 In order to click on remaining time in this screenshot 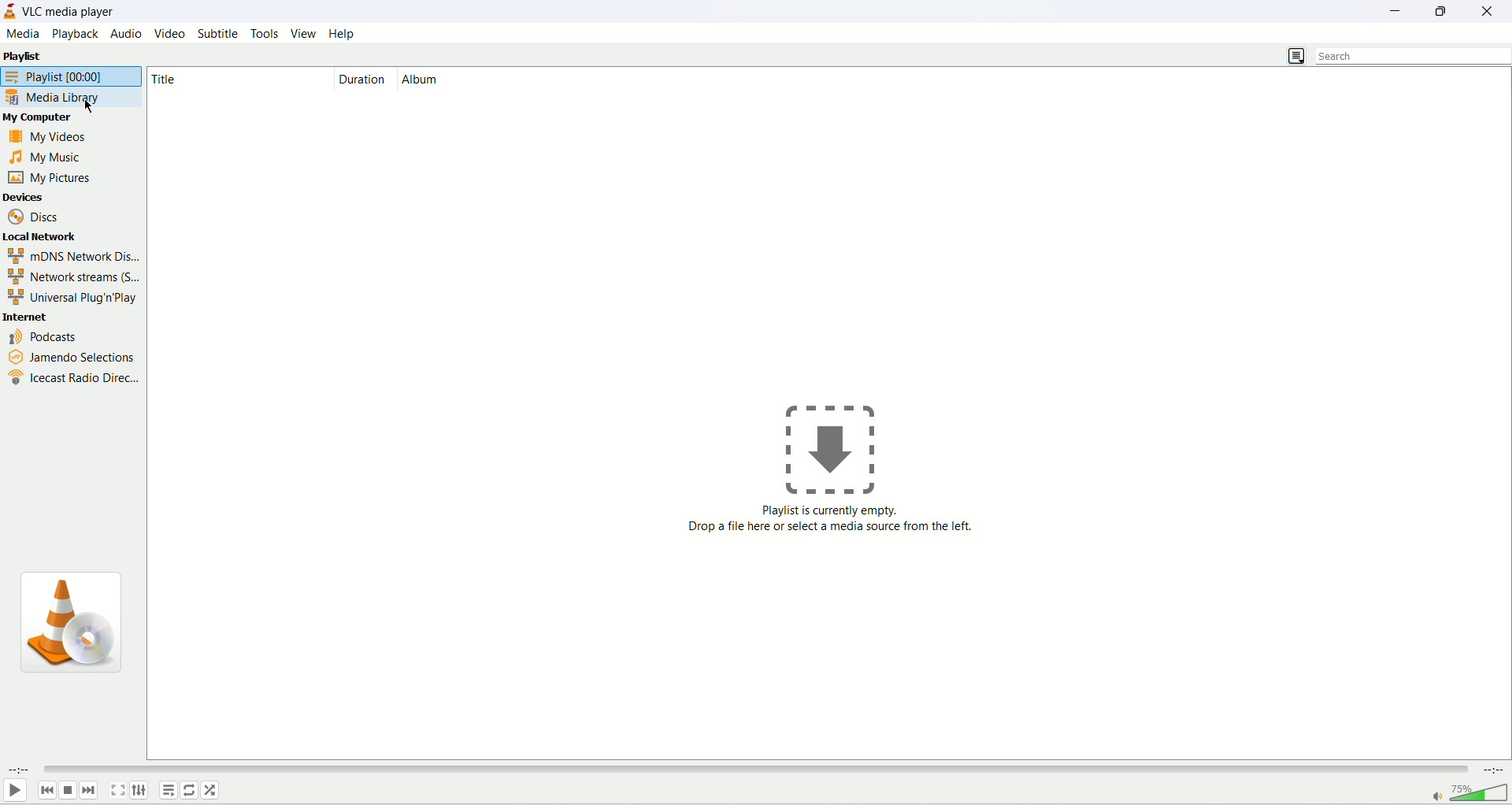, I will do `click(1492, 770)`.